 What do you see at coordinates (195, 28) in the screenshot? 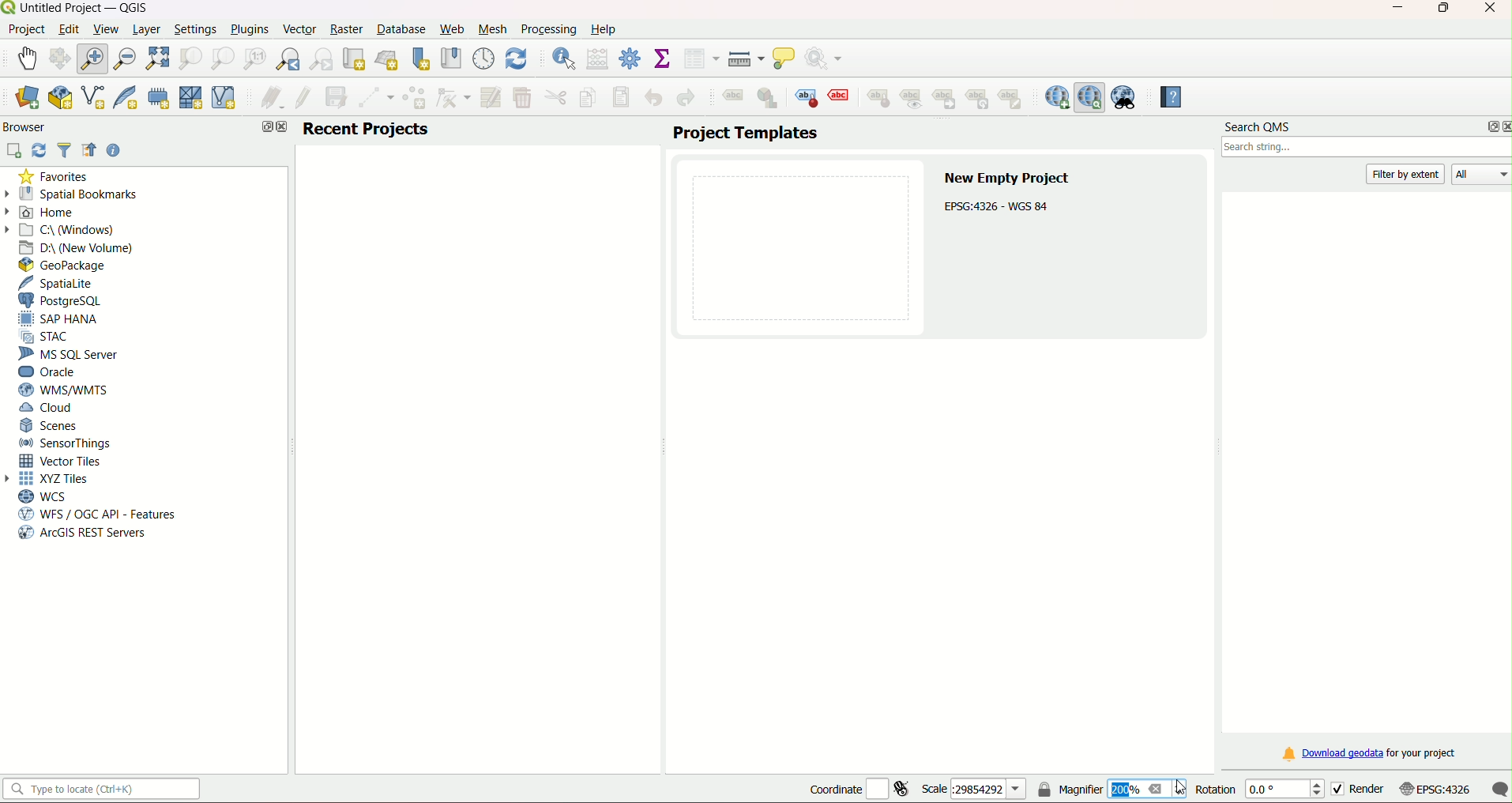
I see `Settings` at bounding box center [195, 28].